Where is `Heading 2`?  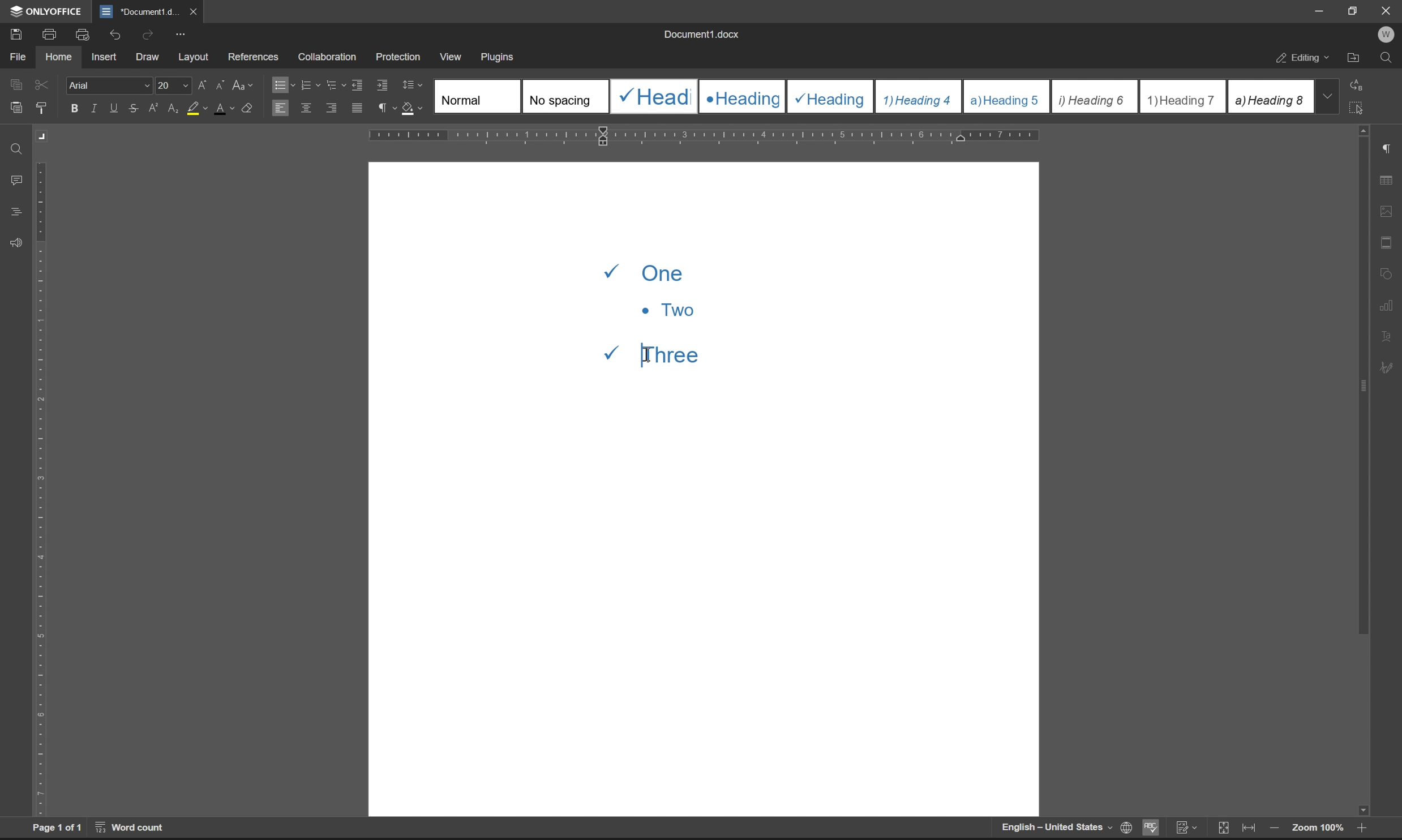
Heading 2 is located at coordinates (742, 97).